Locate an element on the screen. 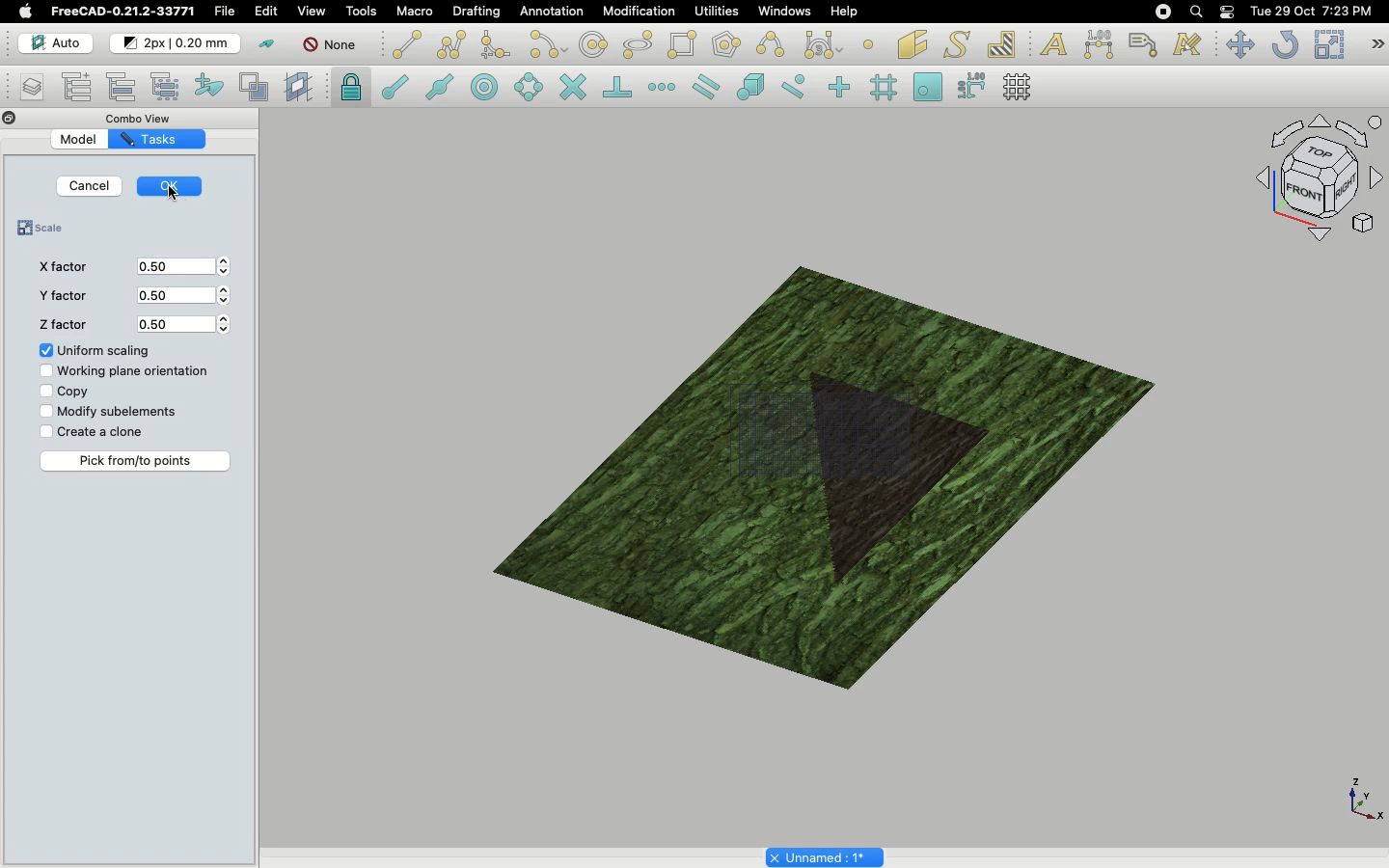 The height and width of the screenshot is (868, 1389). Toggle normal/wireframe display is located at coordinates (255, 87).